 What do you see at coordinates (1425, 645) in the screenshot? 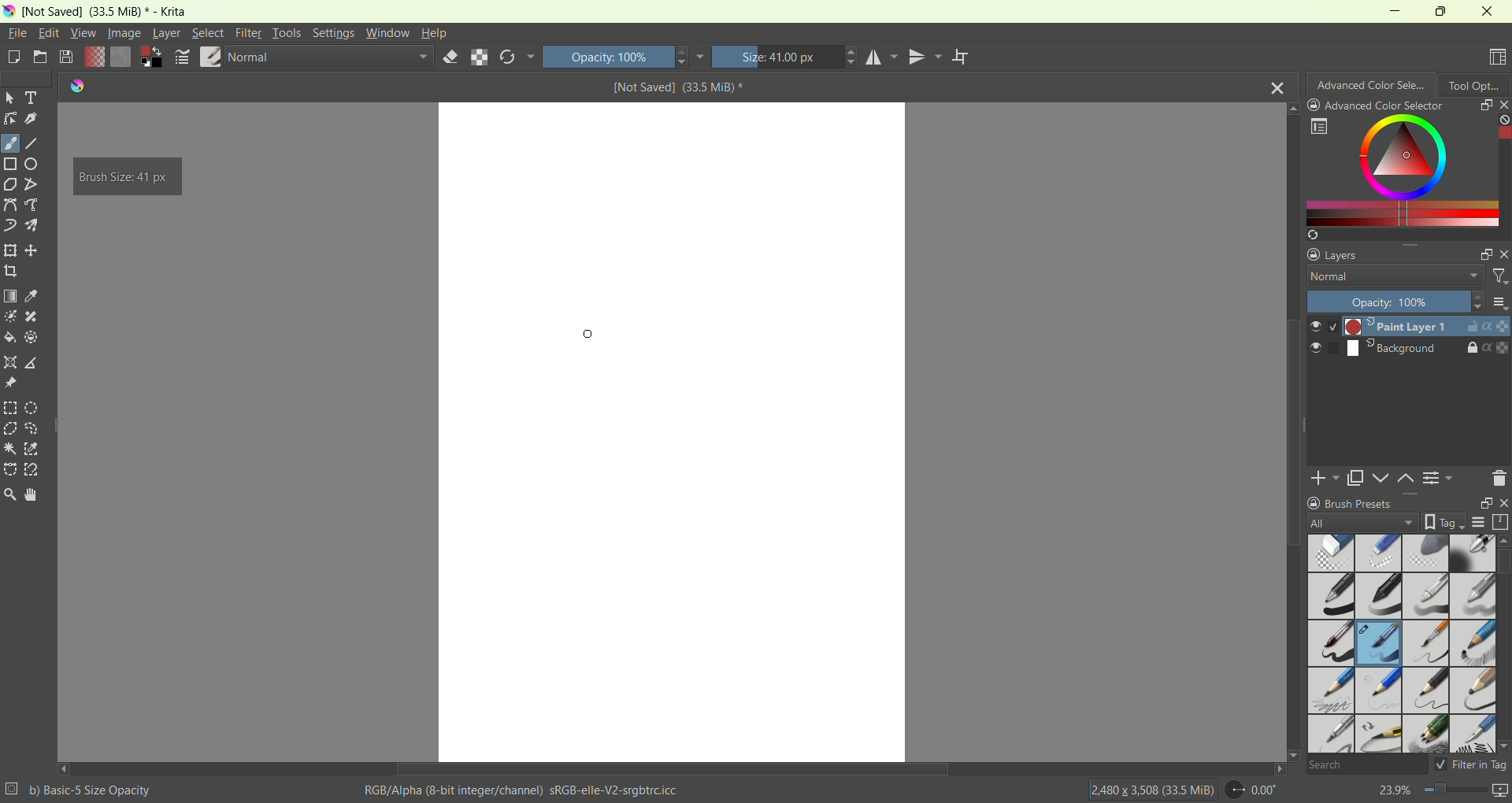
I see `basic 6` at bounding box center [1425, 645].